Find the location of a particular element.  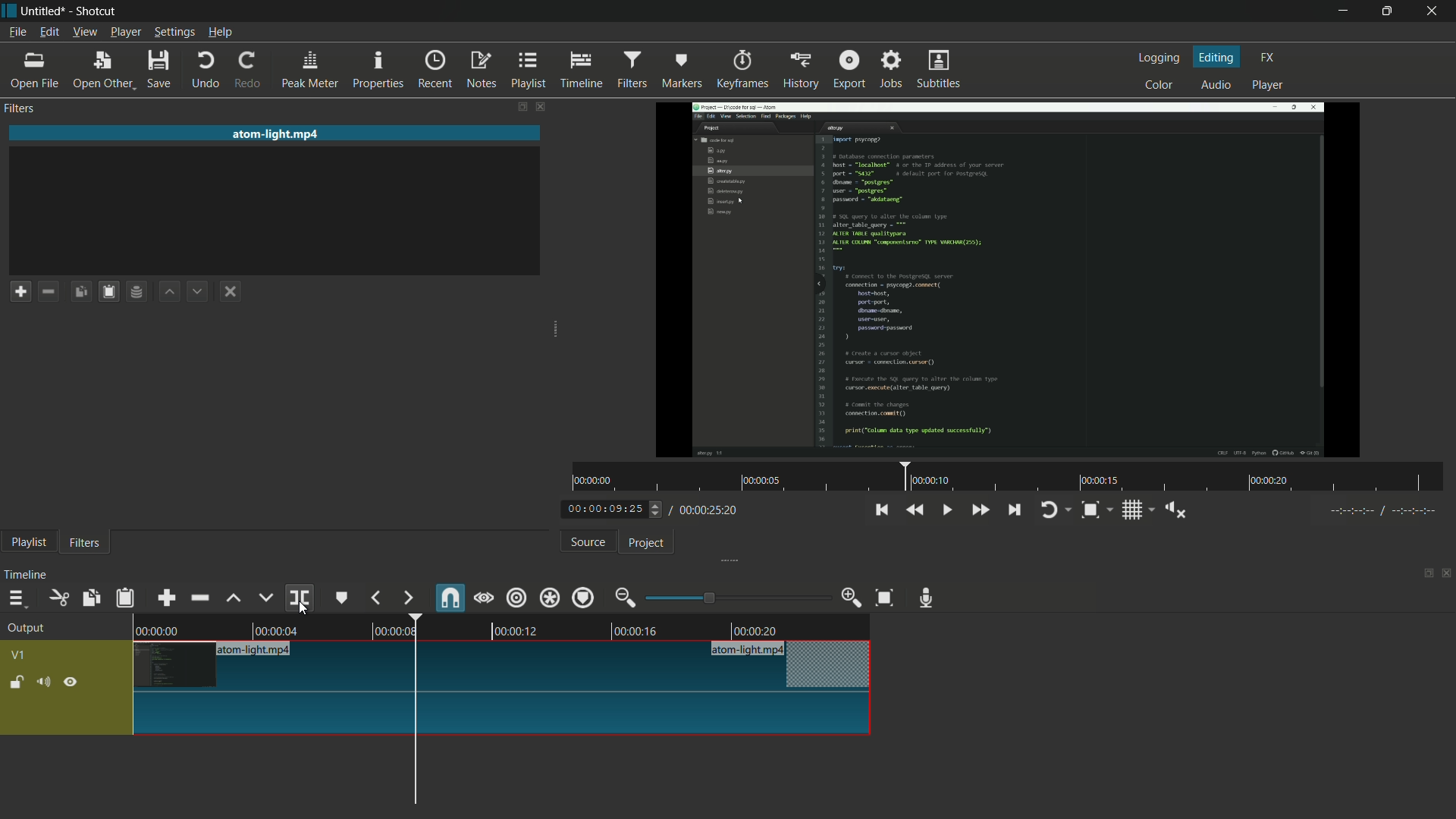

ripple is located at coordinates (517, 599).